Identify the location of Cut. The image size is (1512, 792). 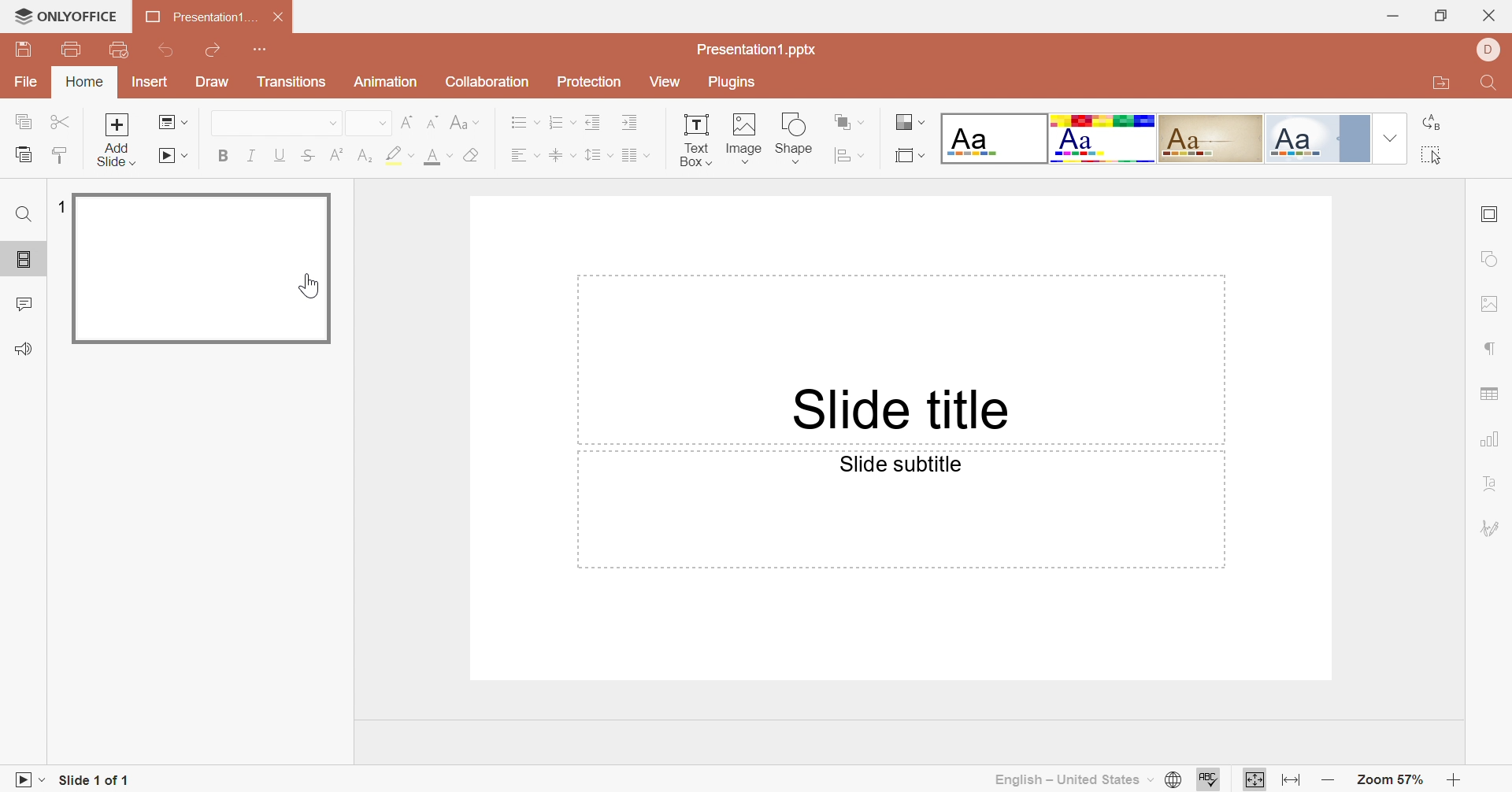
(62, 121).